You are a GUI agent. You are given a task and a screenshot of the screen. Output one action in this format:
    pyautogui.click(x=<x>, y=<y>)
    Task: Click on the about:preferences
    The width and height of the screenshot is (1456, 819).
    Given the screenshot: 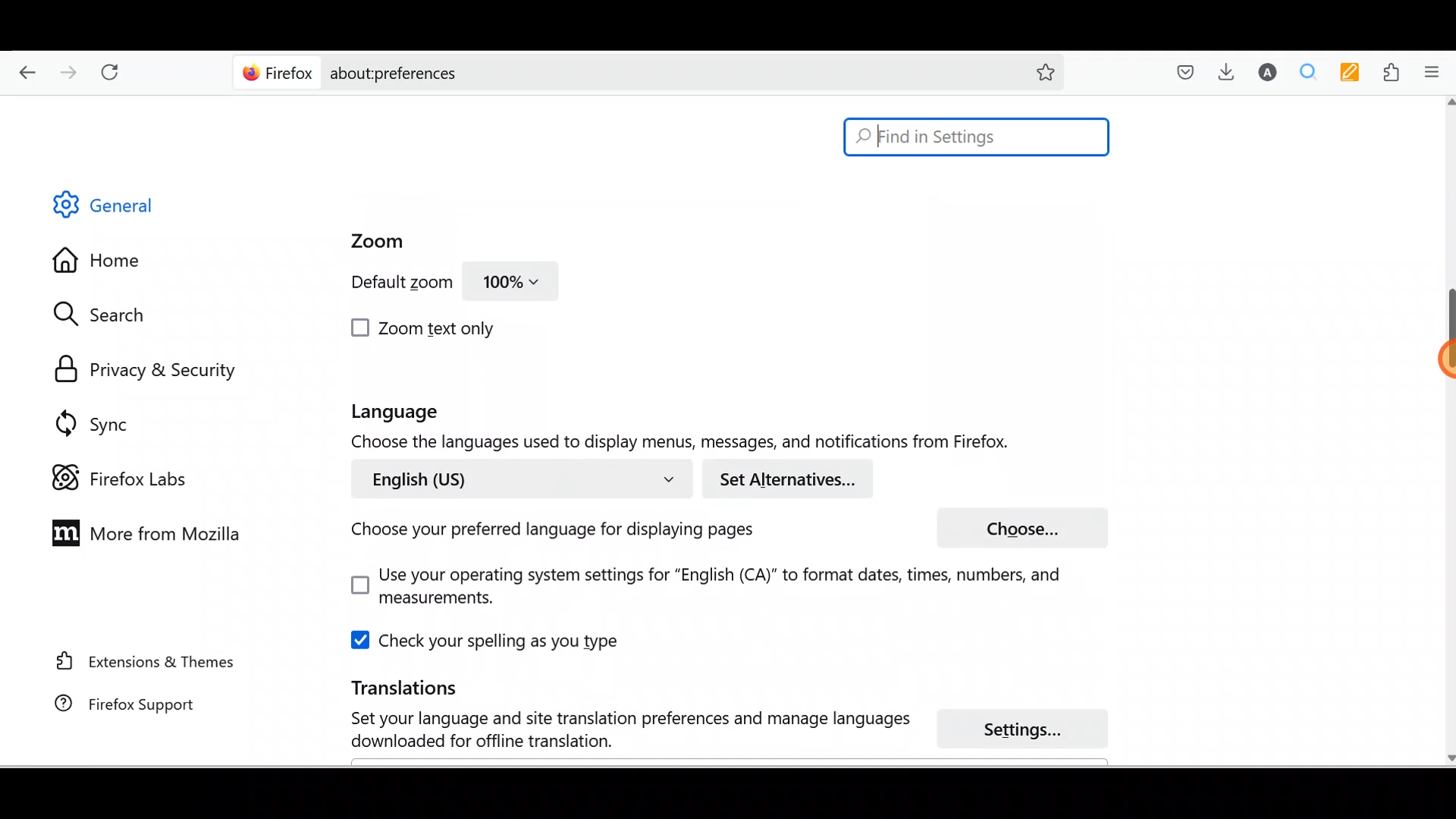 What is the action you would take?
    pyautogui.click(x=605, y=71)
    